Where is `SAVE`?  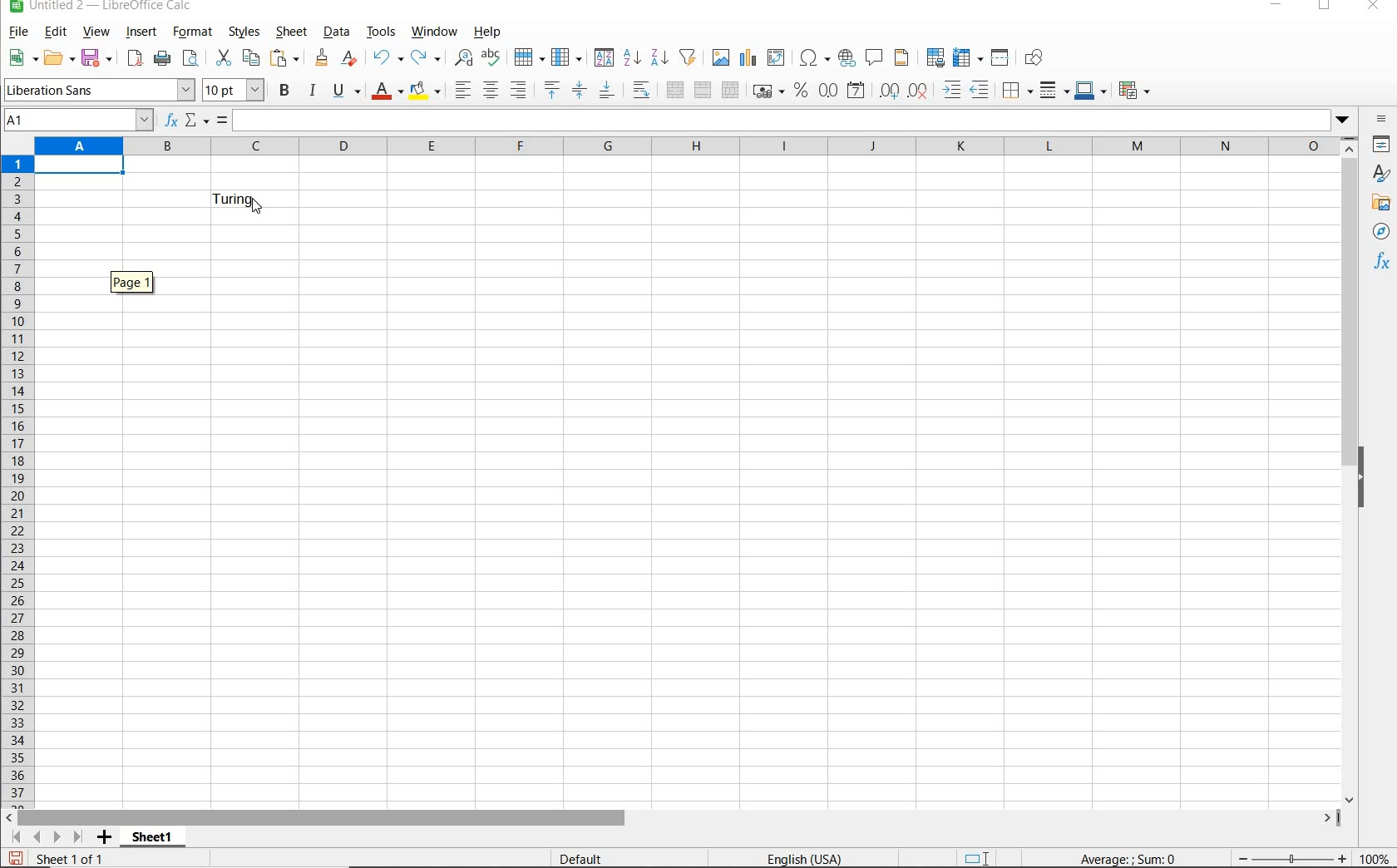 SAVE is located at coordinates (96, 57).